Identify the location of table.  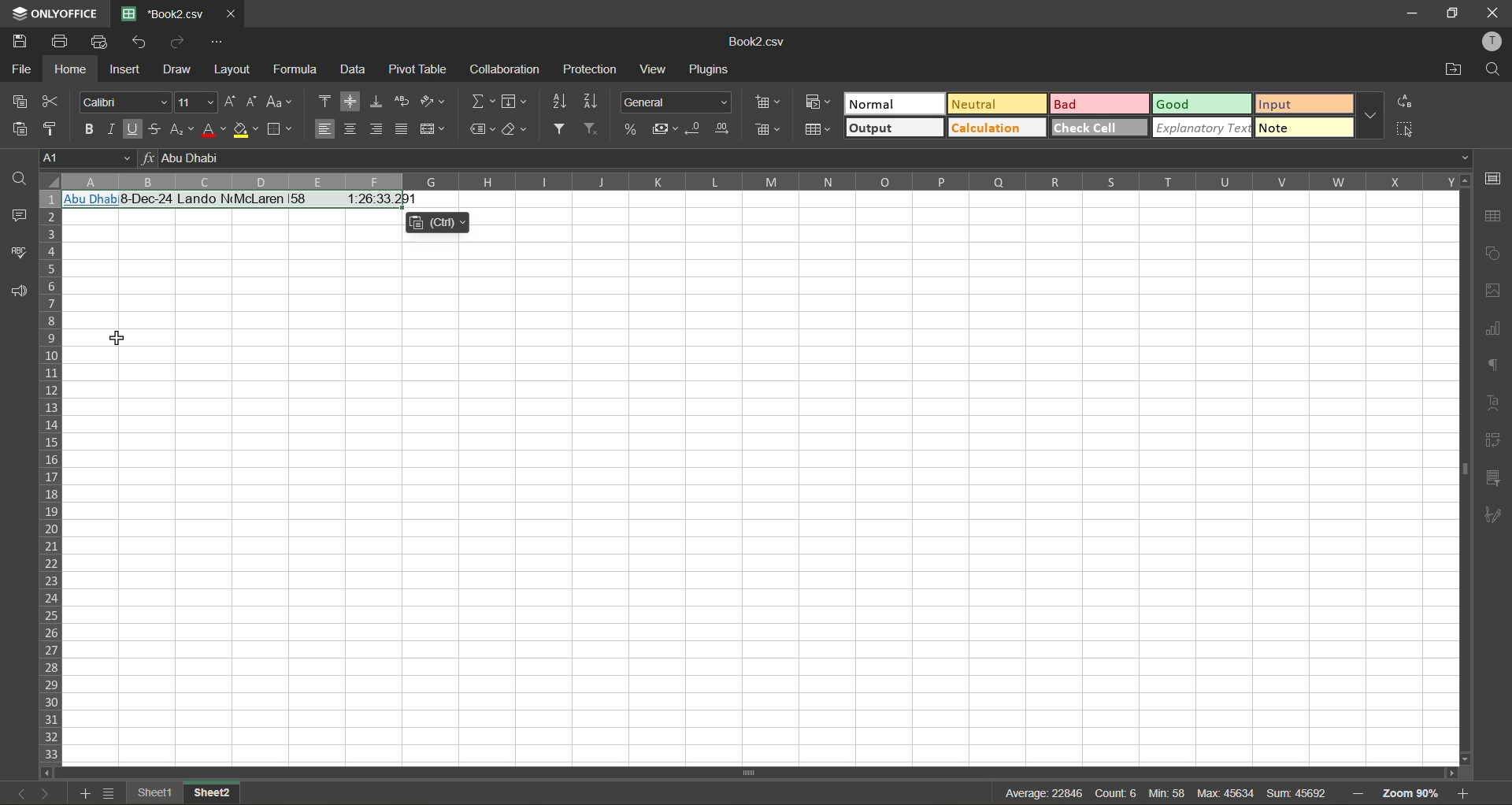
(1495, 217).